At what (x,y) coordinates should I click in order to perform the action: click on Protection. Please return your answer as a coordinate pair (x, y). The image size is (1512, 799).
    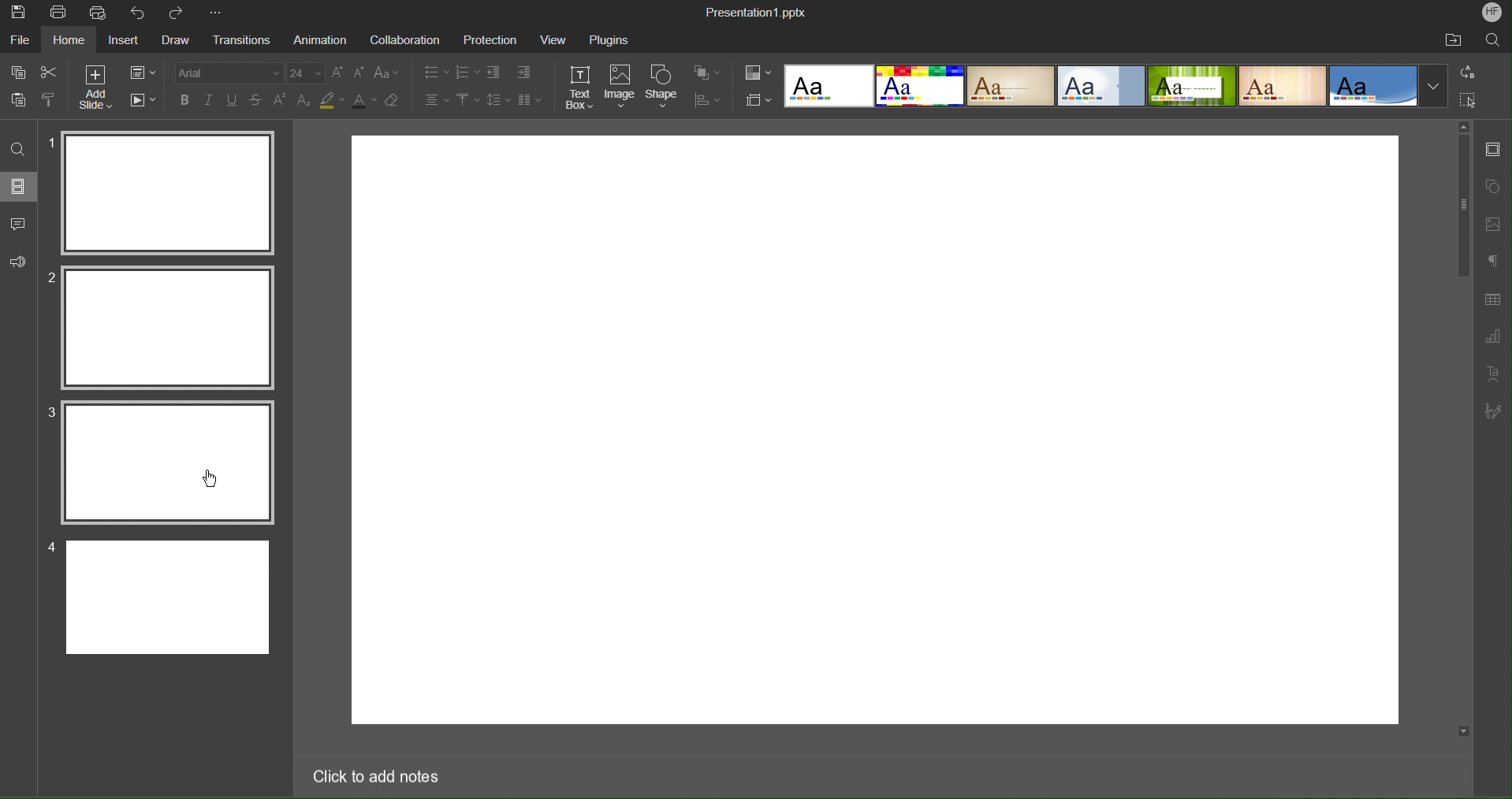
    Looking at the image, I should click on (490, 39).